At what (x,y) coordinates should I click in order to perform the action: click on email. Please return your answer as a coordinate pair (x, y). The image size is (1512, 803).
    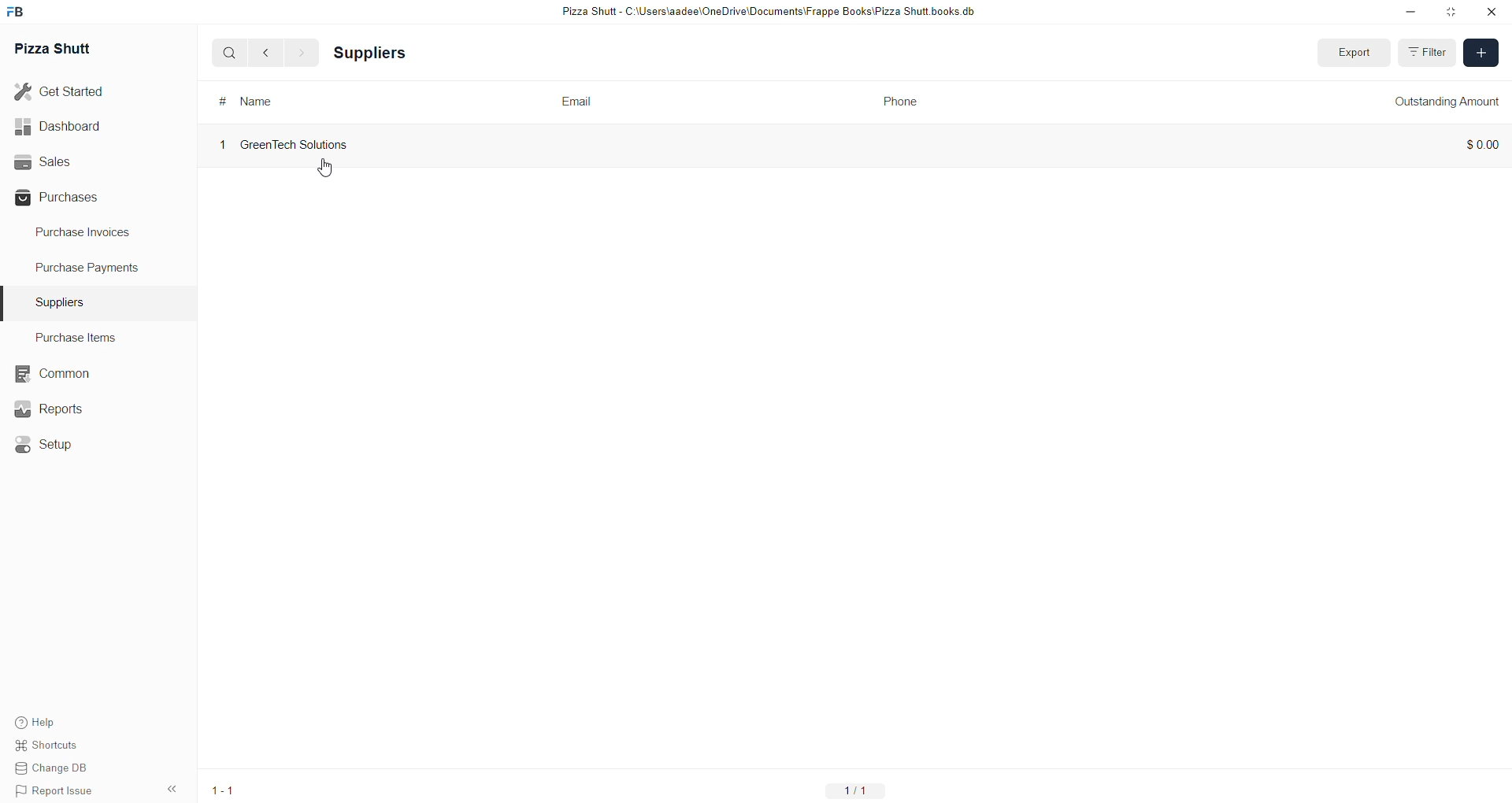
    Looking at the image, I should click on (578, 99).